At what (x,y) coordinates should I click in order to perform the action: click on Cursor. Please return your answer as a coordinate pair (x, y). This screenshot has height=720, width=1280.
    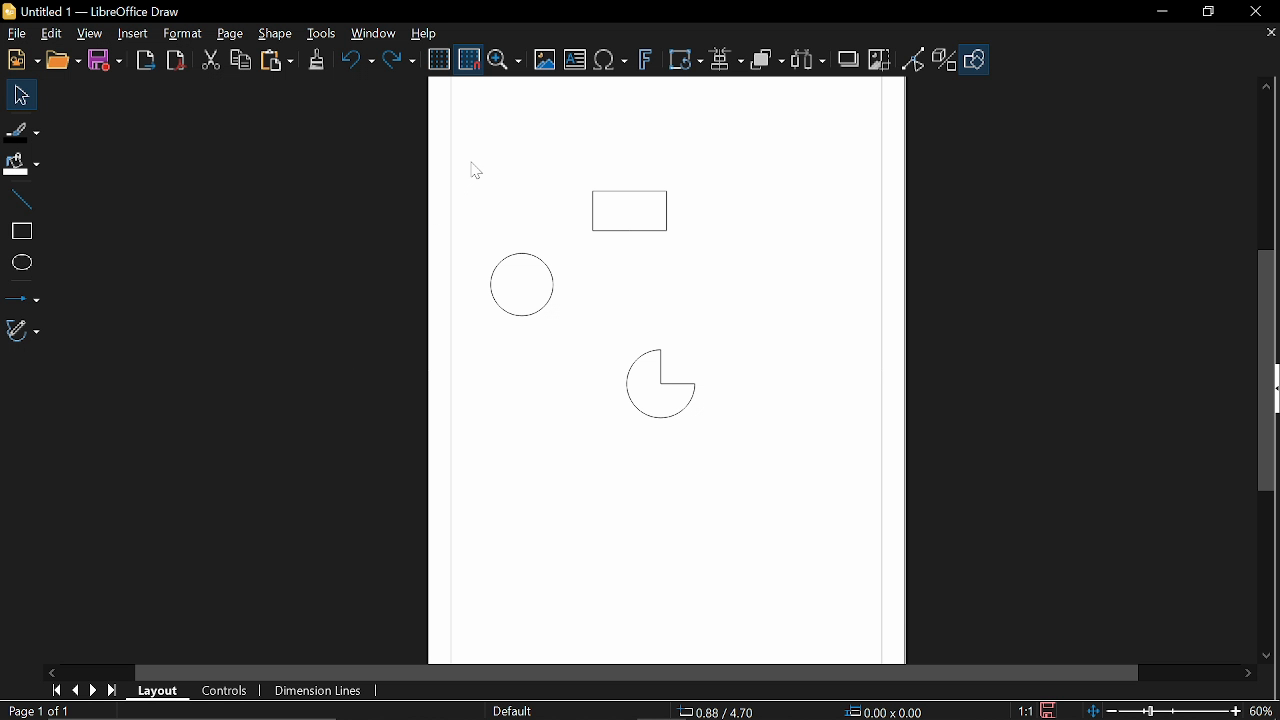
    Looking at the image, I should click on (472, 174).